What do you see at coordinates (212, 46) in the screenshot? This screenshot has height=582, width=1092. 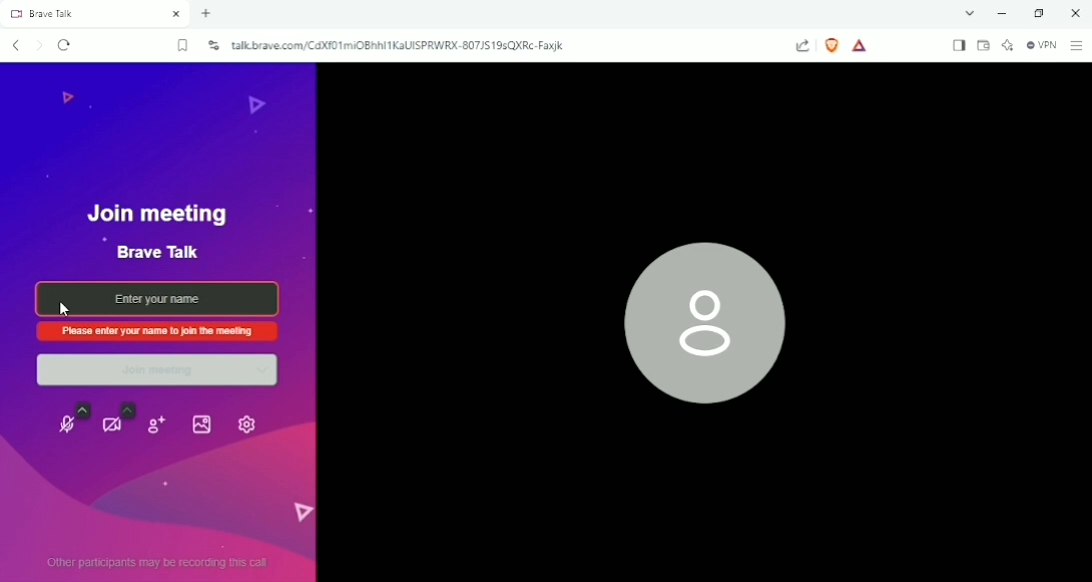 I see `View site information` at bounding box center [212, 46].